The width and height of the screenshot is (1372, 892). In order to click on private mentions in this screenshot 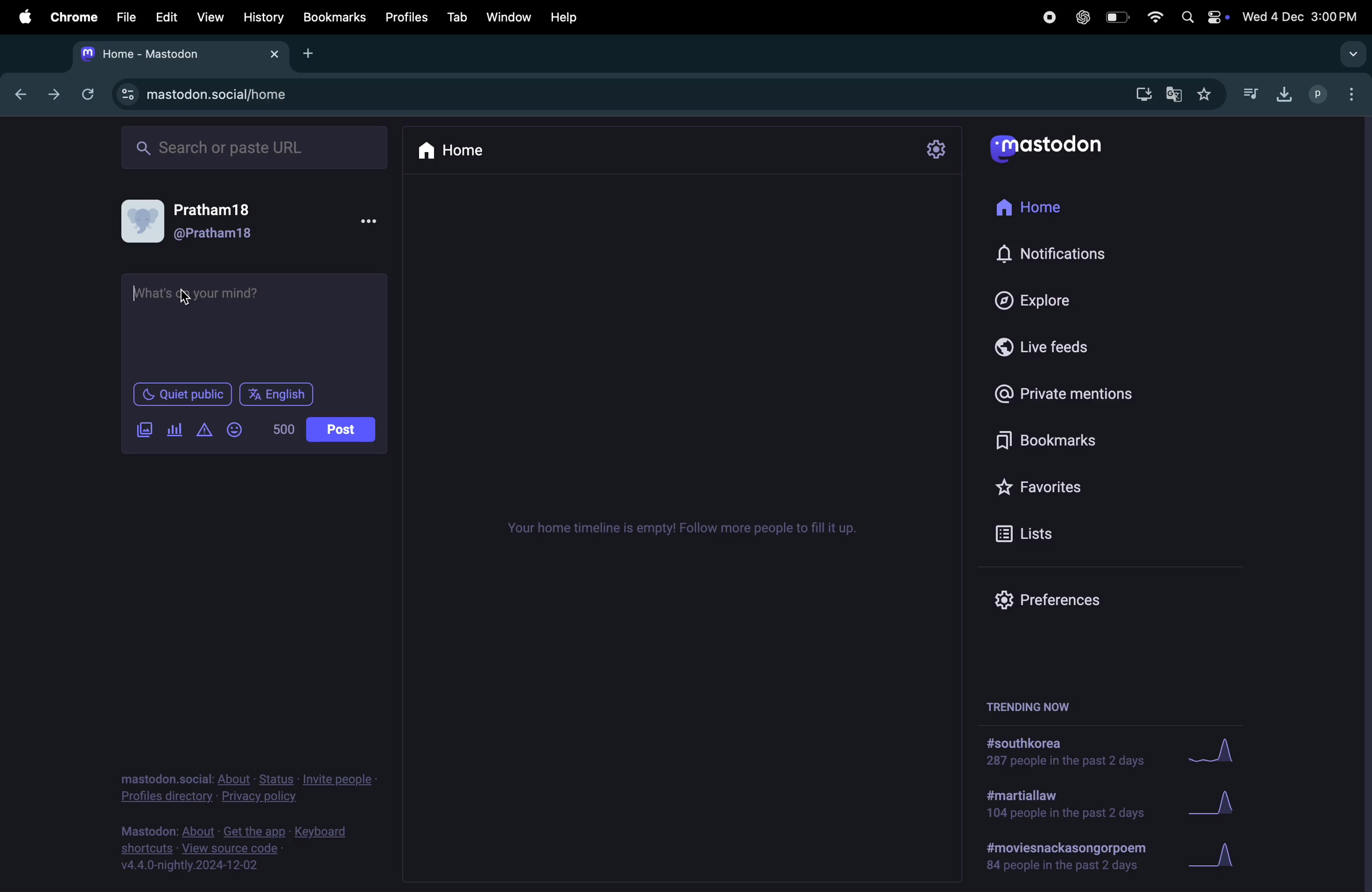, I will do `click(1085, 391)`.